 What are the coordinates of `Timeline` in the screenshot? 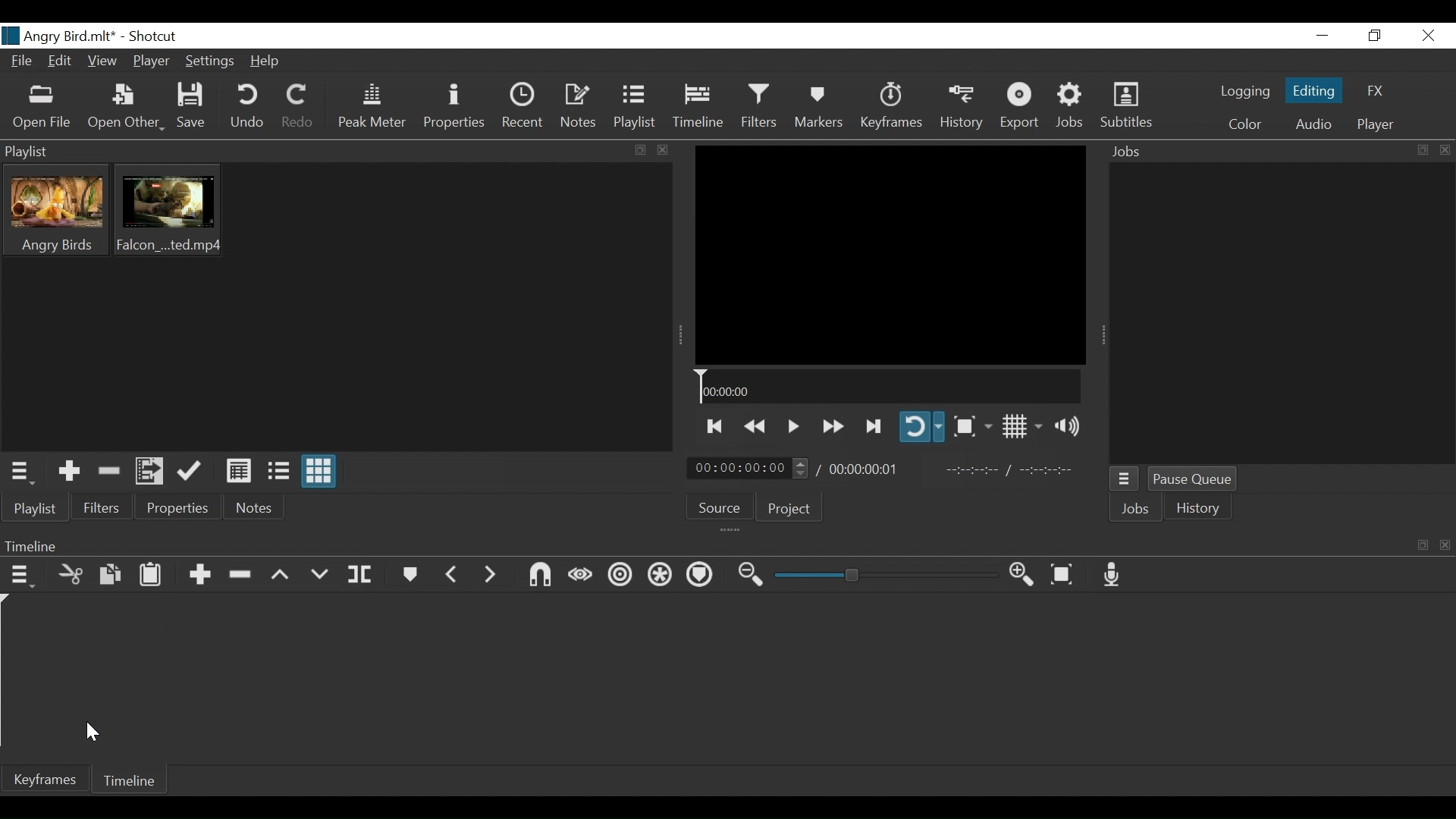 It's located at (720, 682).